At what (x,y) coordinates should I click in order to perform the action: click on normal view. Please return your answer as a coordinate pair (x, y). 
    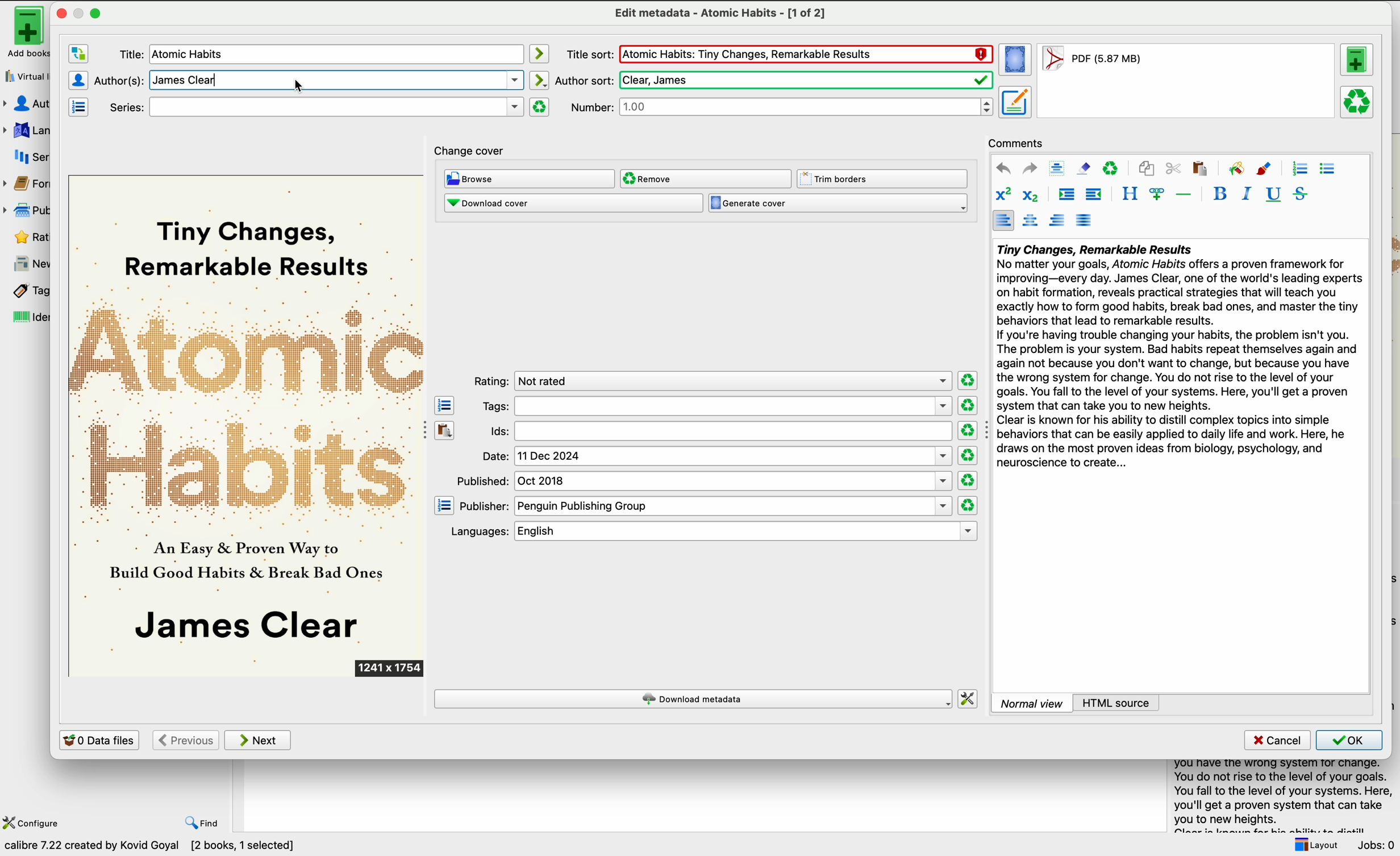
    Looking at the image, I should click on (1032, 703).